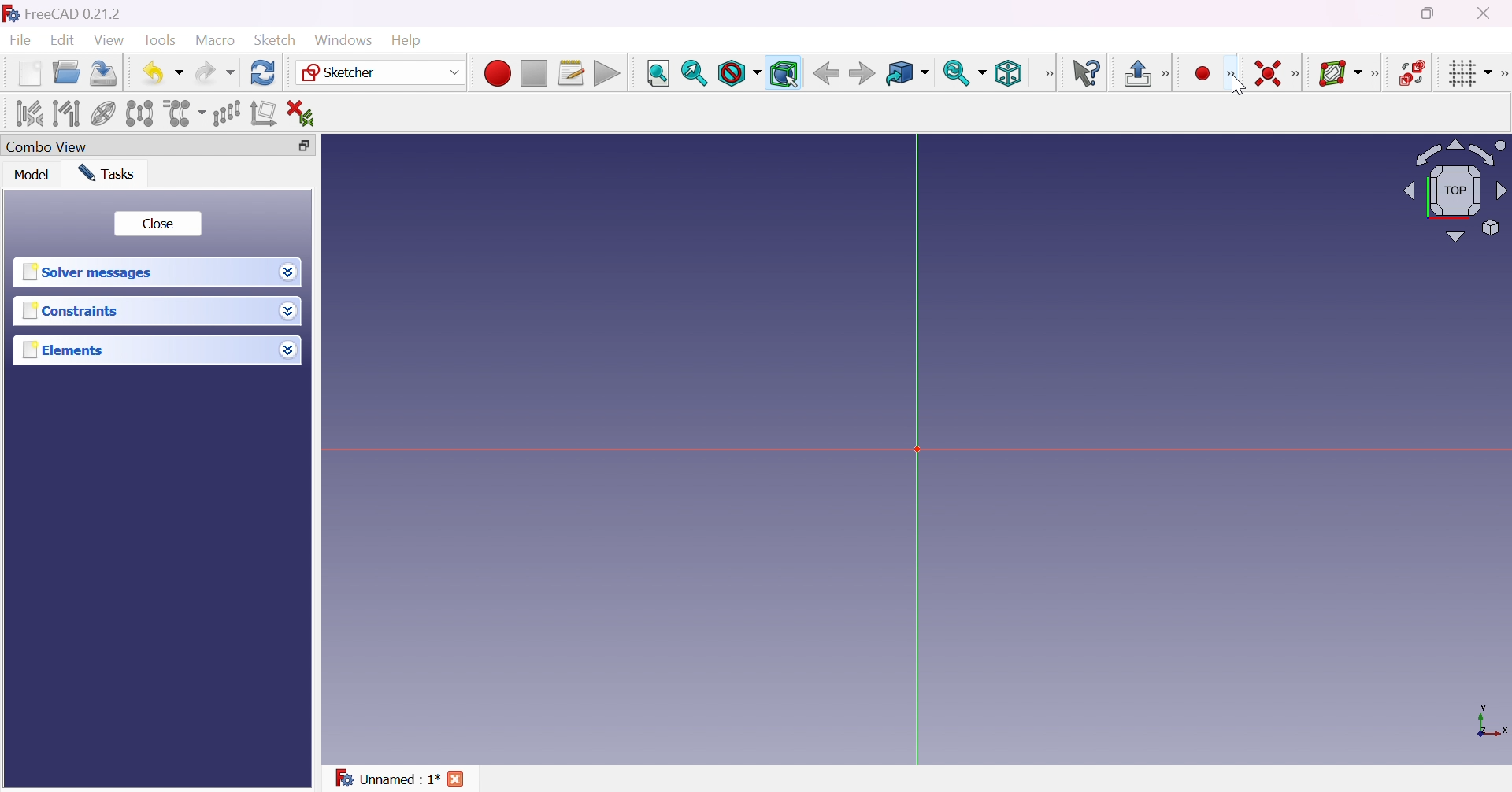  Describe the element at coordinates (1488, 12) in the screenshot. I see `Close` at that location.